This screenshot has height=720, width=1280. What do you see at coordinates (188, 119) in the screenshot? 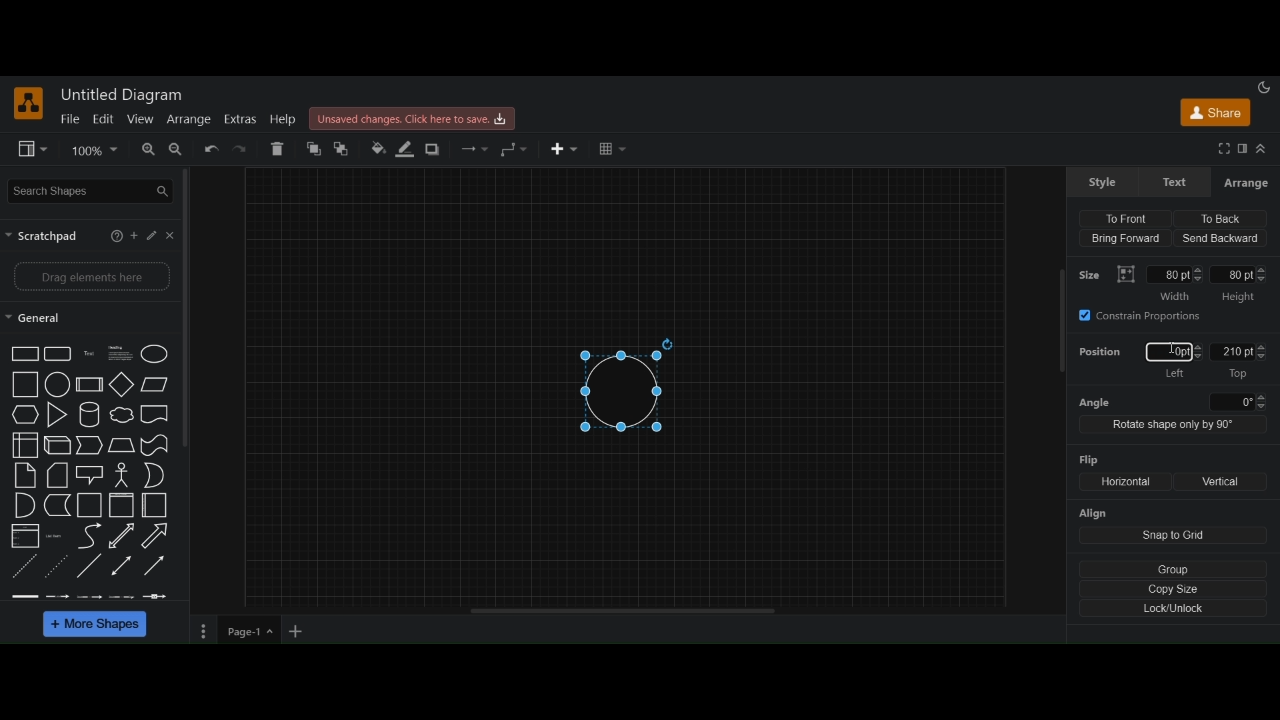
I see `arrange` at bounding box center [188, 119].